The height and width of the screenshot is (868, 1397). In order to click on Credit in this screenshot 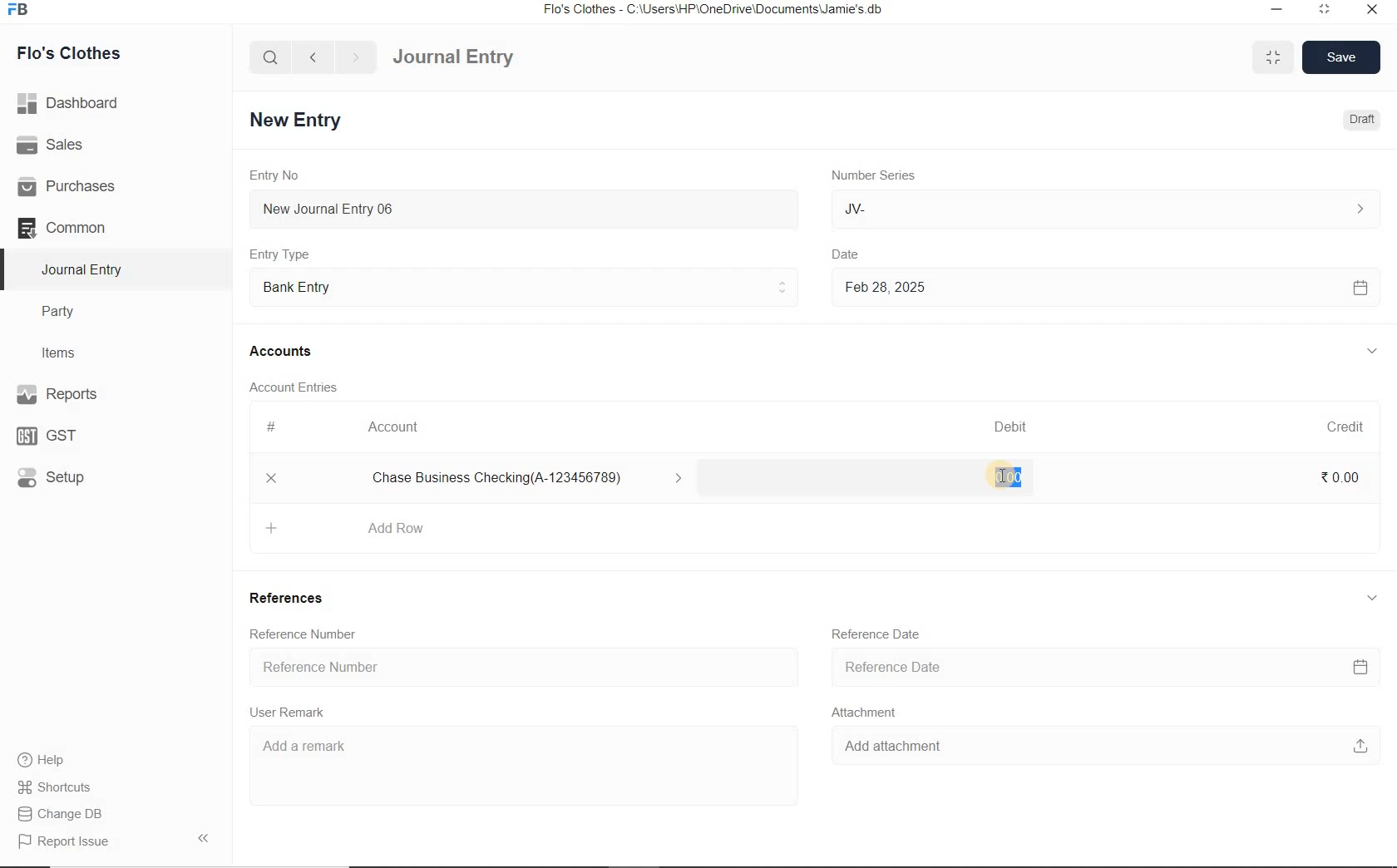, I will do `click(1346, 427)`.